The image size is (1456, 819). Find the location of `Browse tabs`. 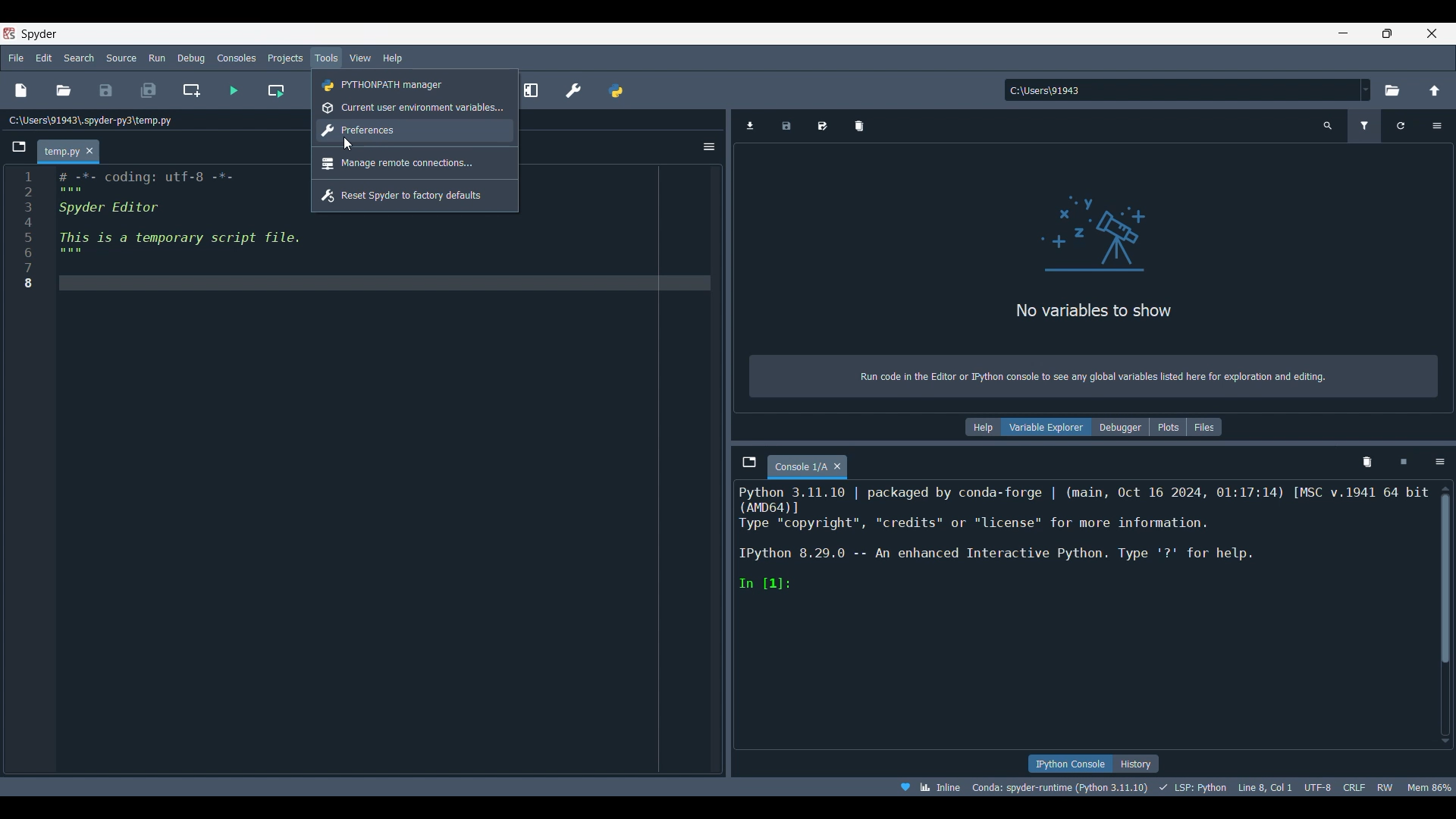

Browse tabs is located at coordinates (750, 462).